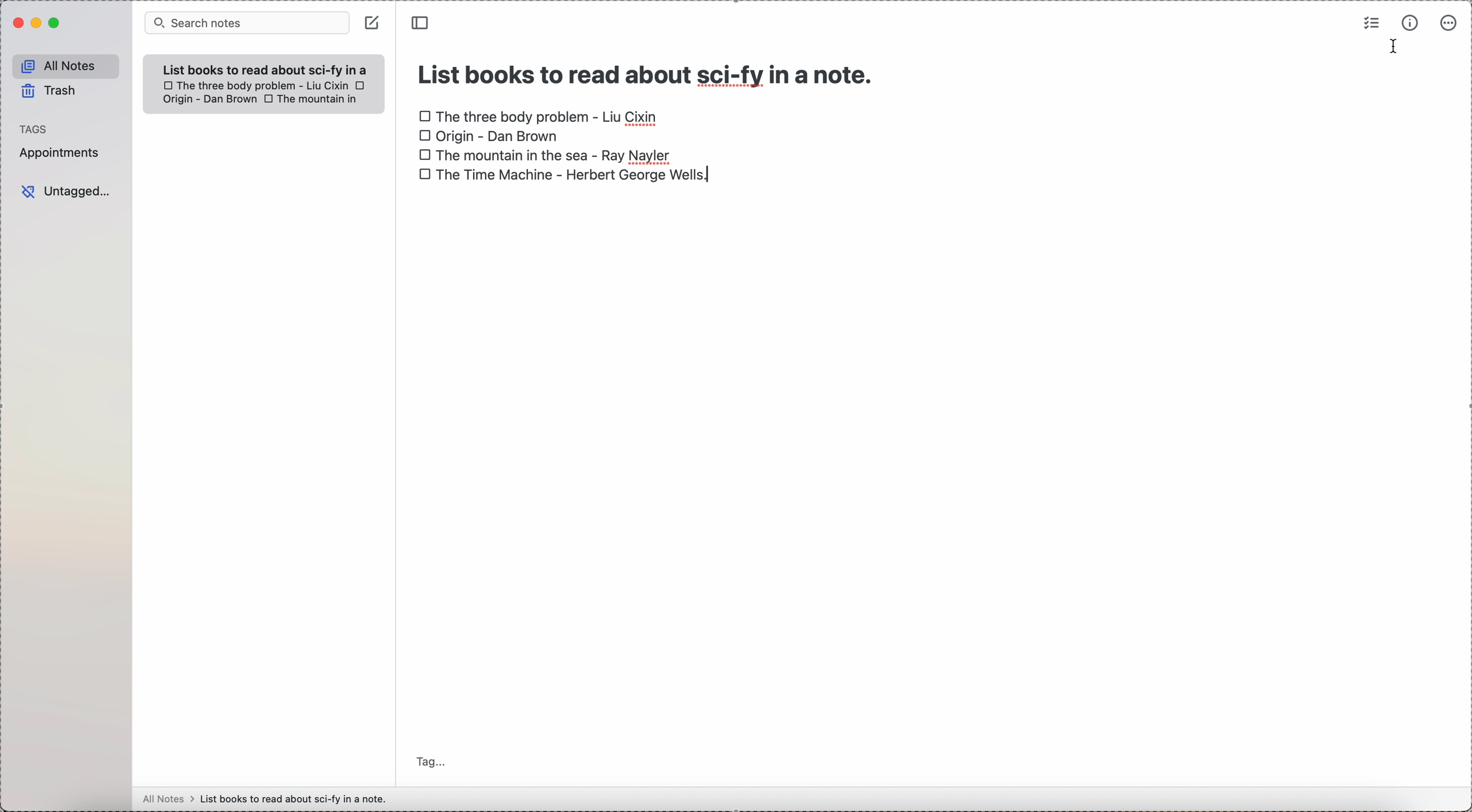 This screenshot has height=812, width=1472. Describe the element at coordinates (489, 137) in the screenshot. I see `checkbox Origin - Dan Brown` at that location.